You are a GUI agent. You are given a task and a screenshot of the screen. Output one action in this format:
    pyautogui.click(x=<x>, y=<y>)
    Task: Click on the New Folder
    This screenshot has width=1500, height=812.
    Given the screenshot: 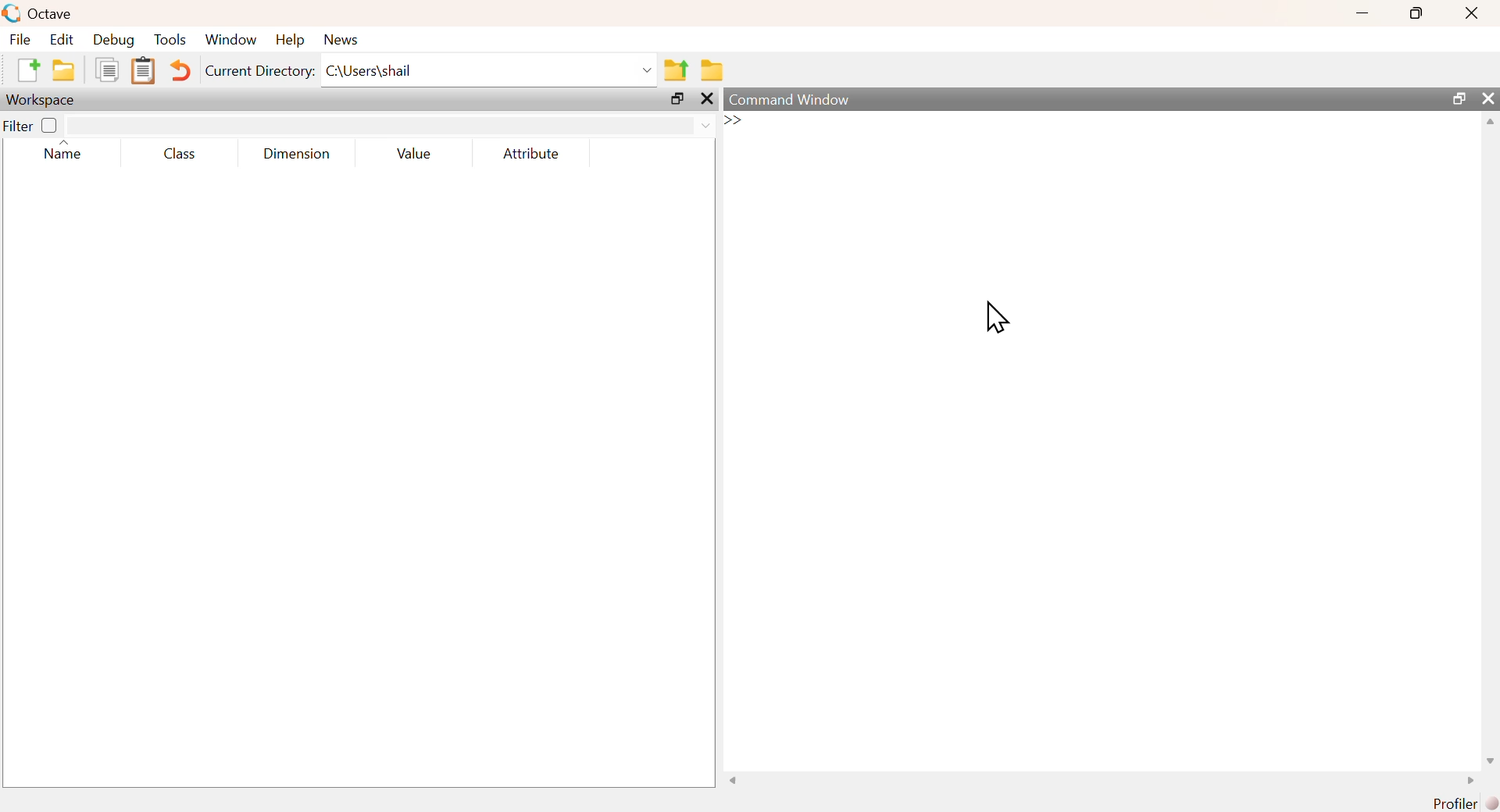 What is the action you would take?
    pyautogui.click(x=63, y=70)
    